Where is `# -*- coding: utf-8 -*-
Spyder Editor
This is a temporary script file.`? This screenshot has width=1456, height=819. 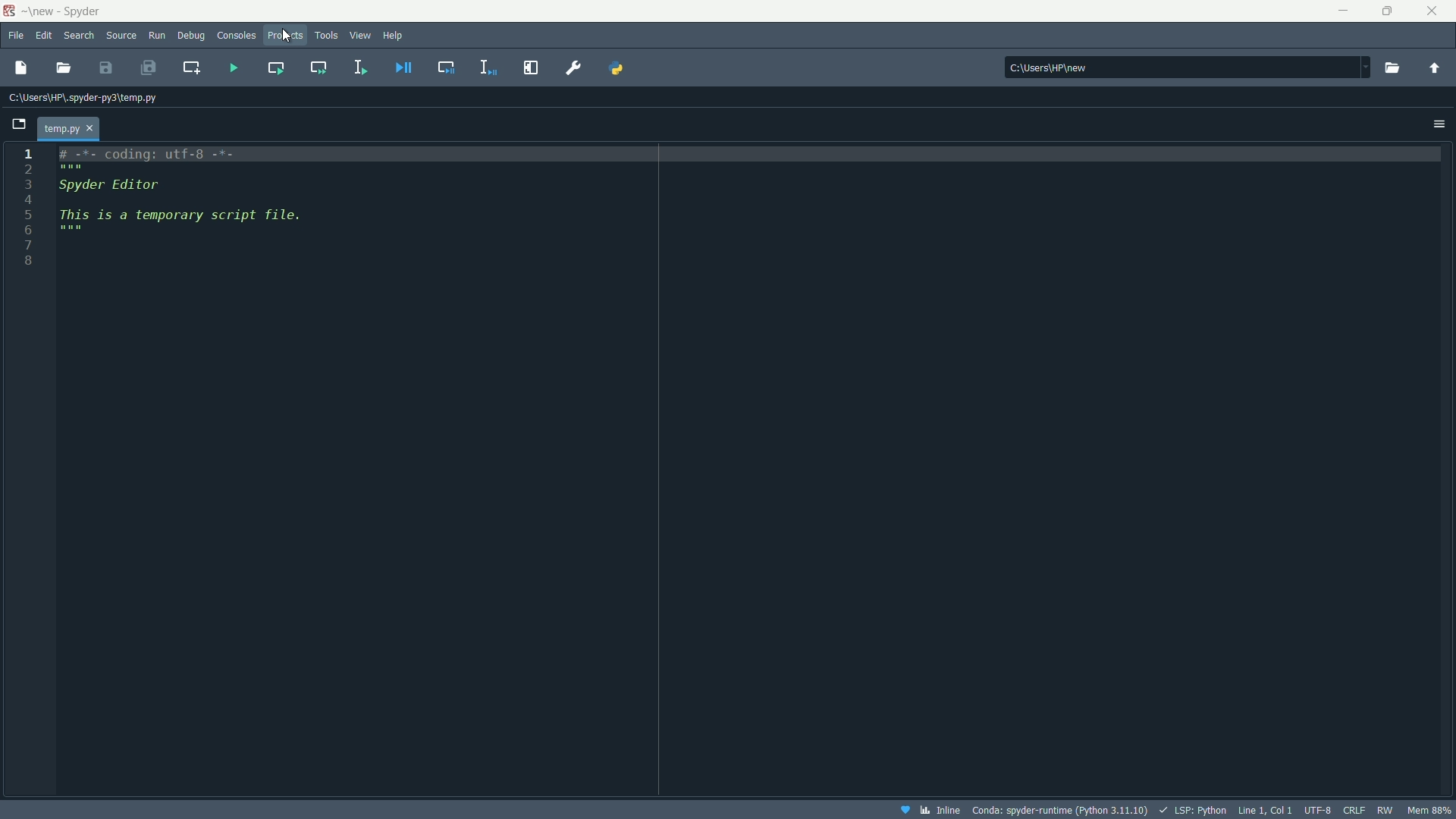
# -*- coding: utf-8 -*-
Spyder Editor
This is a temporary script file. is located at coordinates (235, 212).